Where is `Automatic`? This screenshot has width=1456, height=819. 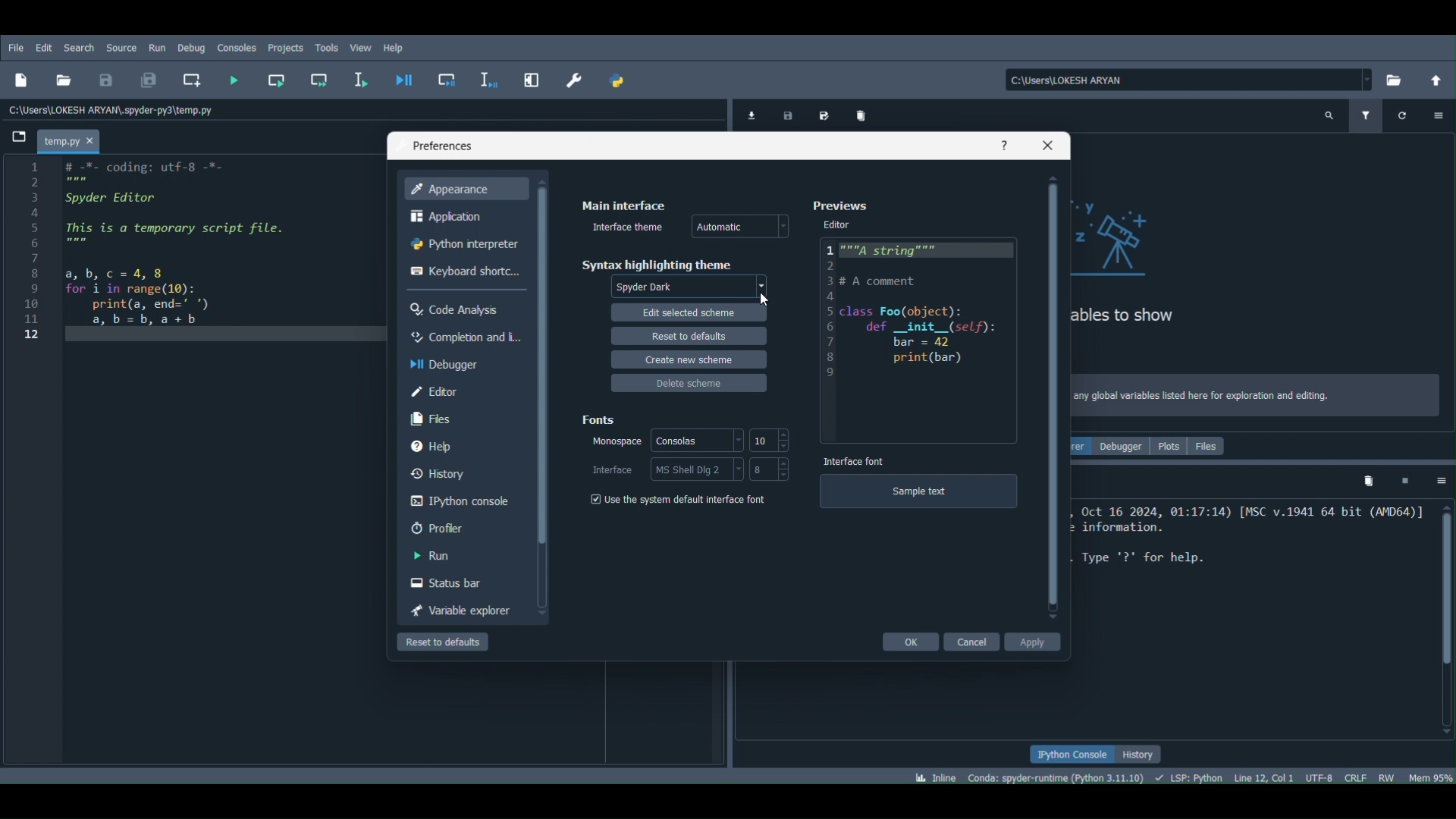
Automatic is located at coordinates (733, 227).